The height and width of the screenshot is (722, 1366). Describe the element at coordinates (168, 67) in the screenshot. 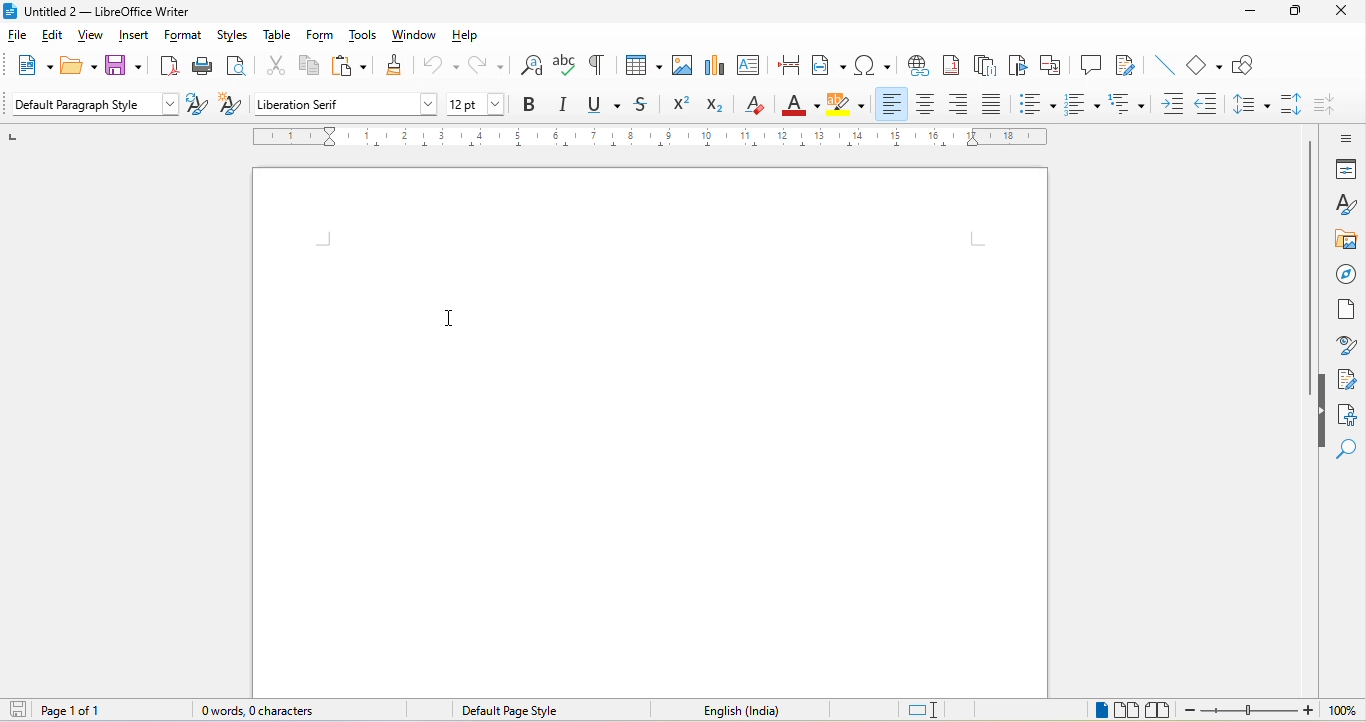

I see `export directly as pdf` at that location.